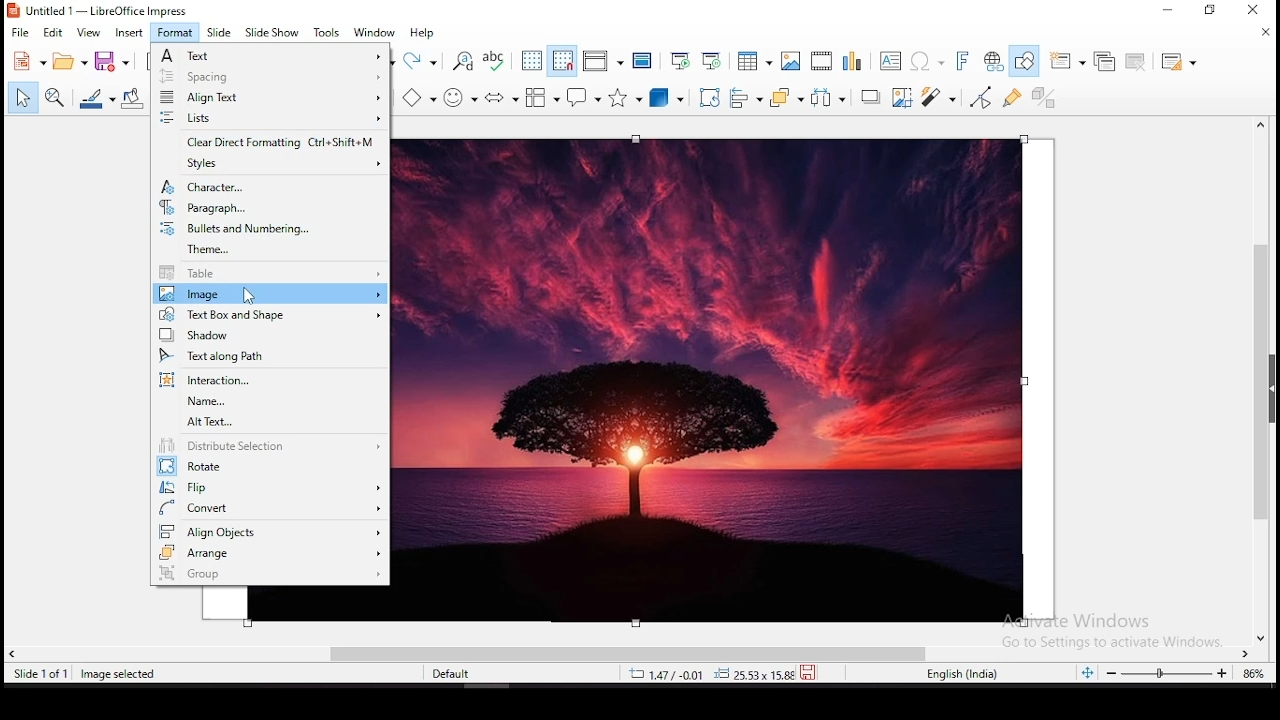  I want to click on 12.40/4.25, so click(669, 674).